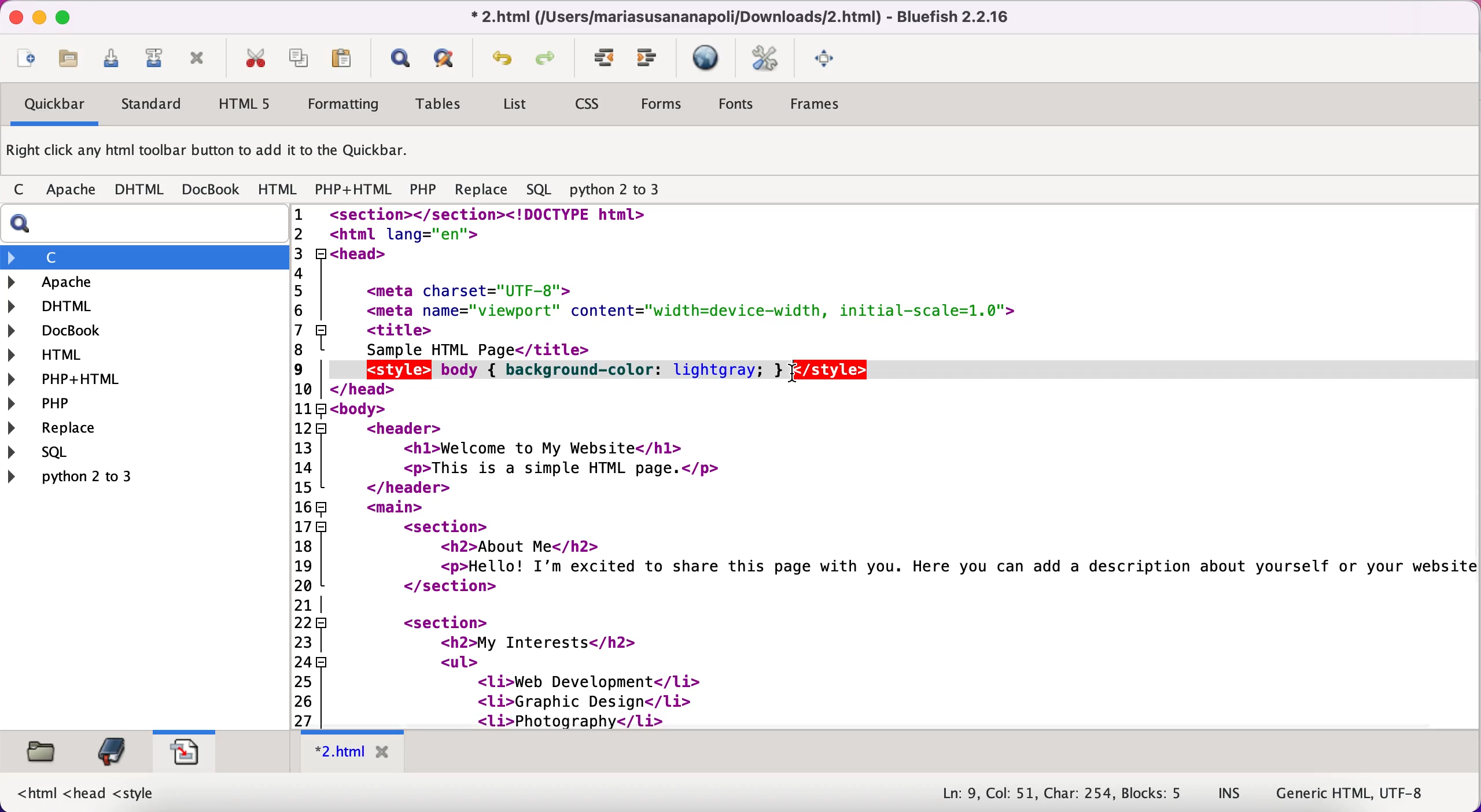 Image resolution: width=1481 pixels, height=812 pixels. What do you see at coordinates (549, 60) in the screenshot?
I see `redo` at bounding box center [549, 60].